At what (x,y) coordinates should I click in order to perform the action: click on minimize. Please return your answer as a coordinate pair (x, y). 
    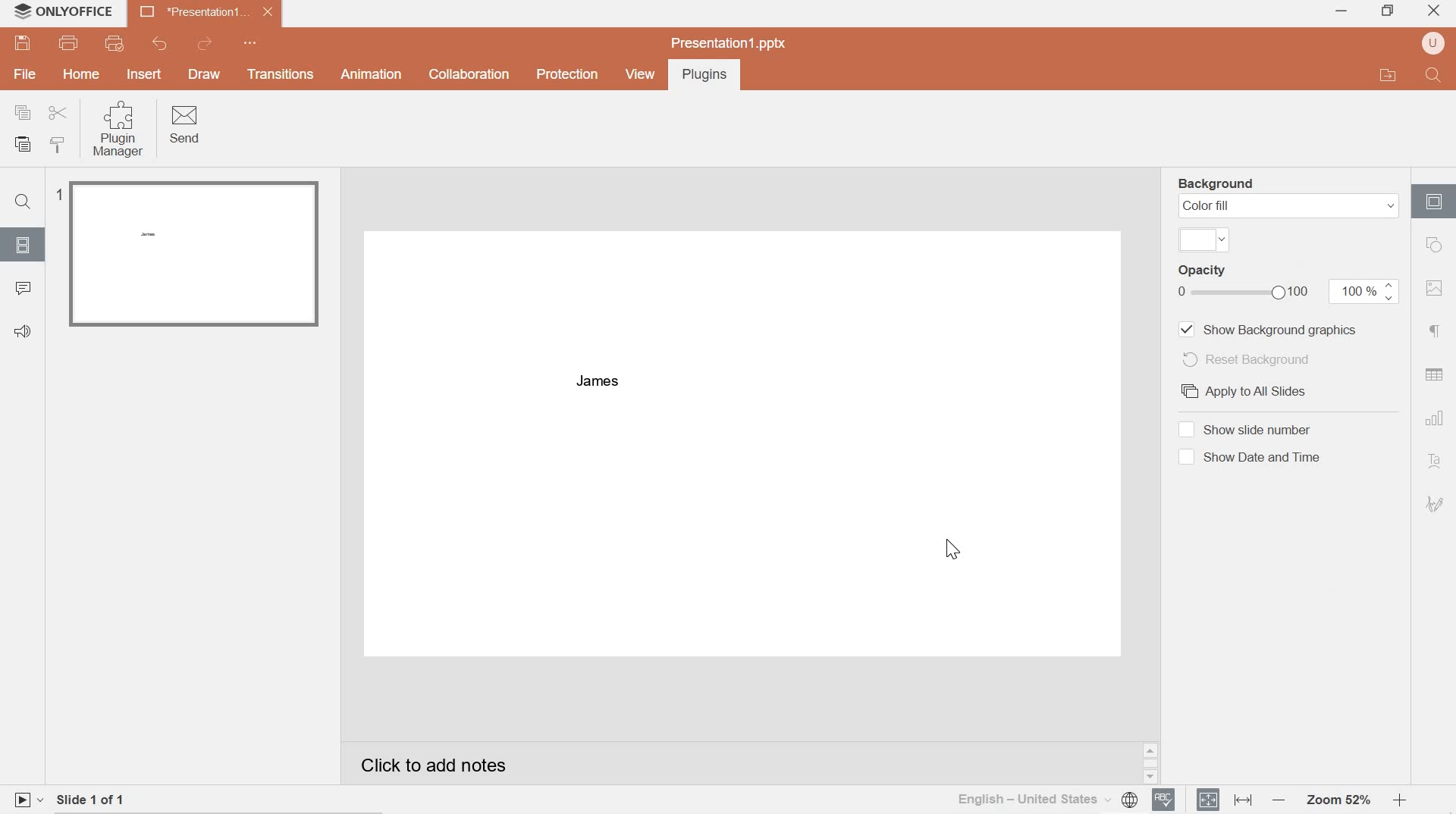
    Looking at the image, I should click on (1341, 12).